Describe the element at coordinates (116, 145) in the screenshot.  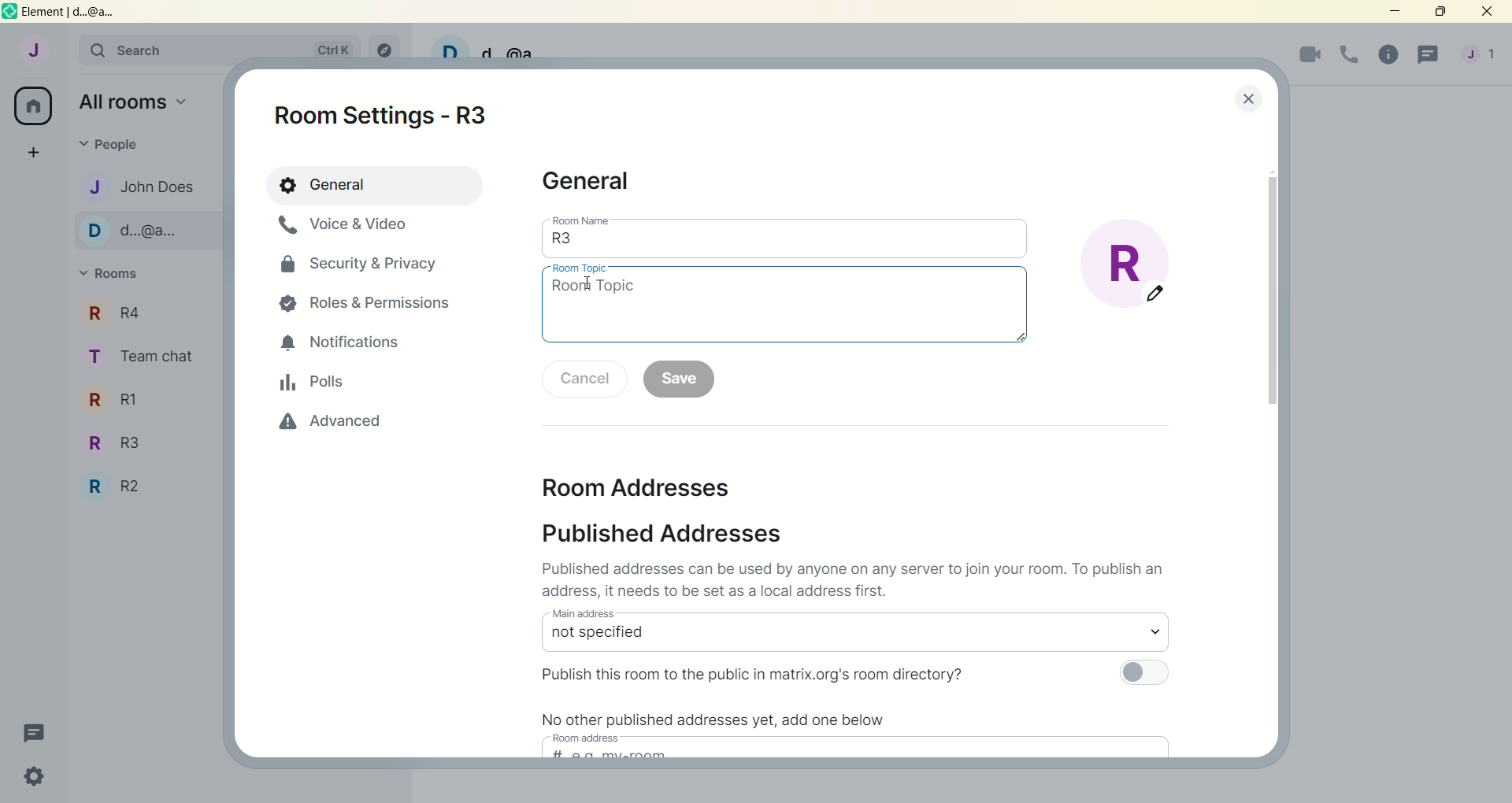
I see `people` at that location.